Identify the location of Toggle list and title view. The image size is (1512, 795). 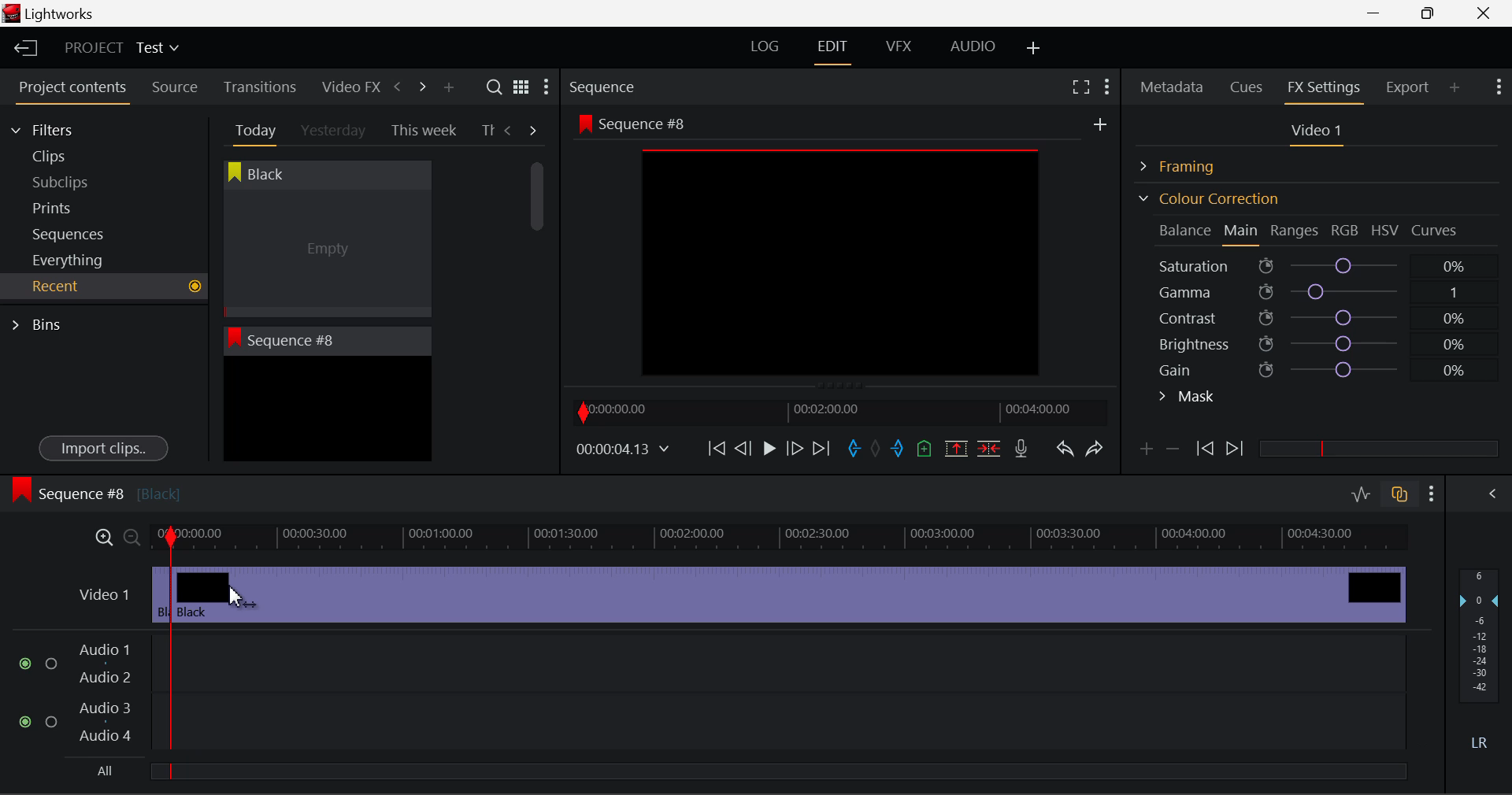
(521, 87).